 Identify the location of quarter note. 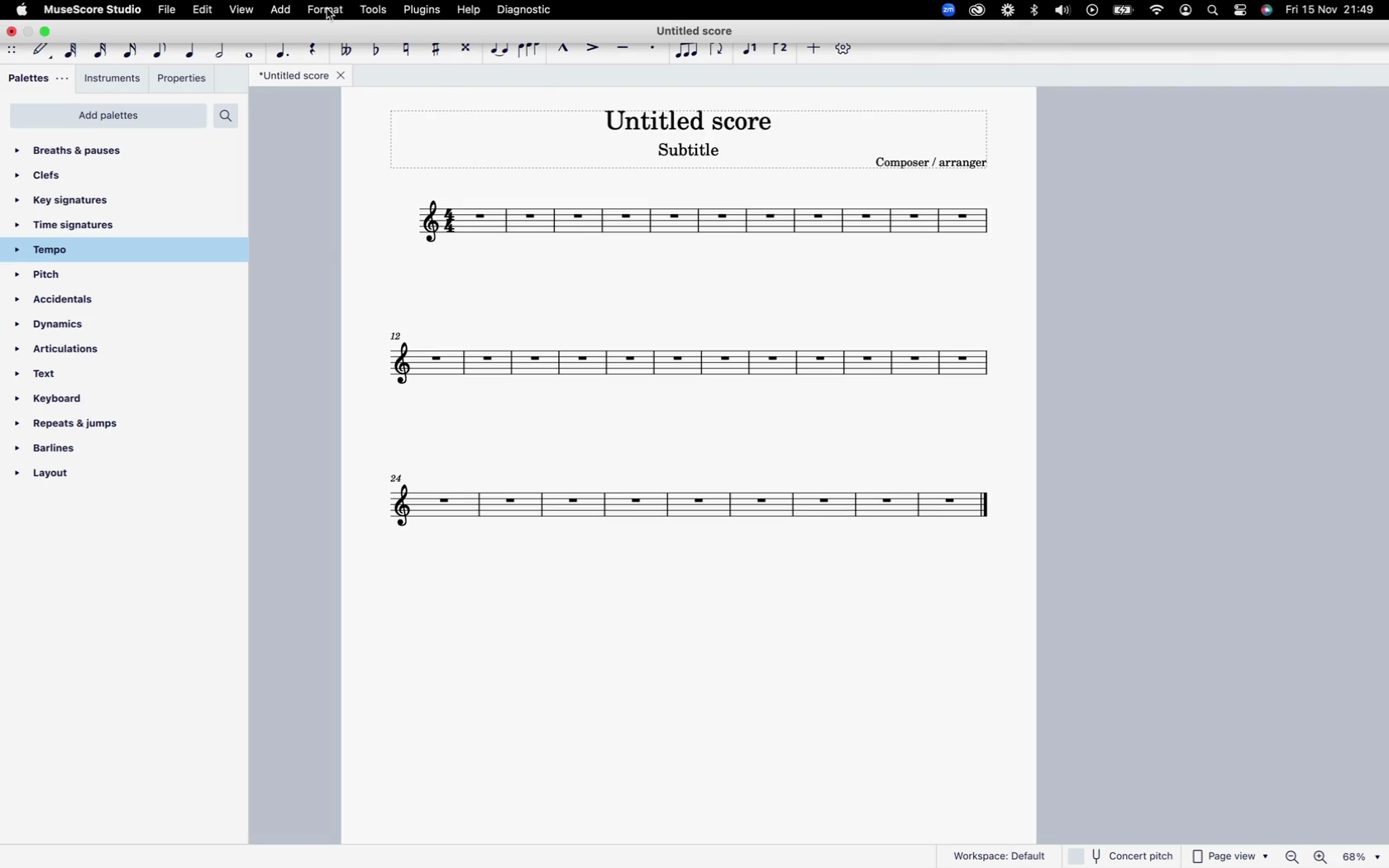
(191, 50).